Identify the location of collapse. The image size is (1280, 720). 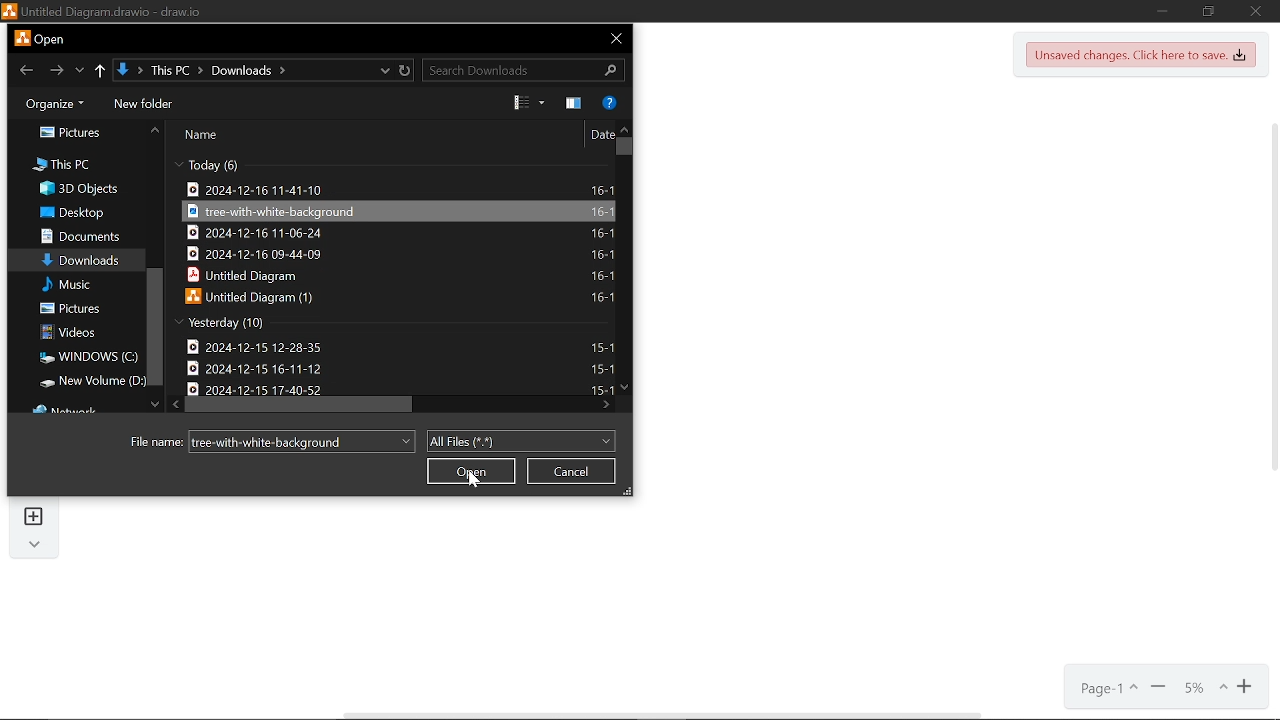
(36, 544).